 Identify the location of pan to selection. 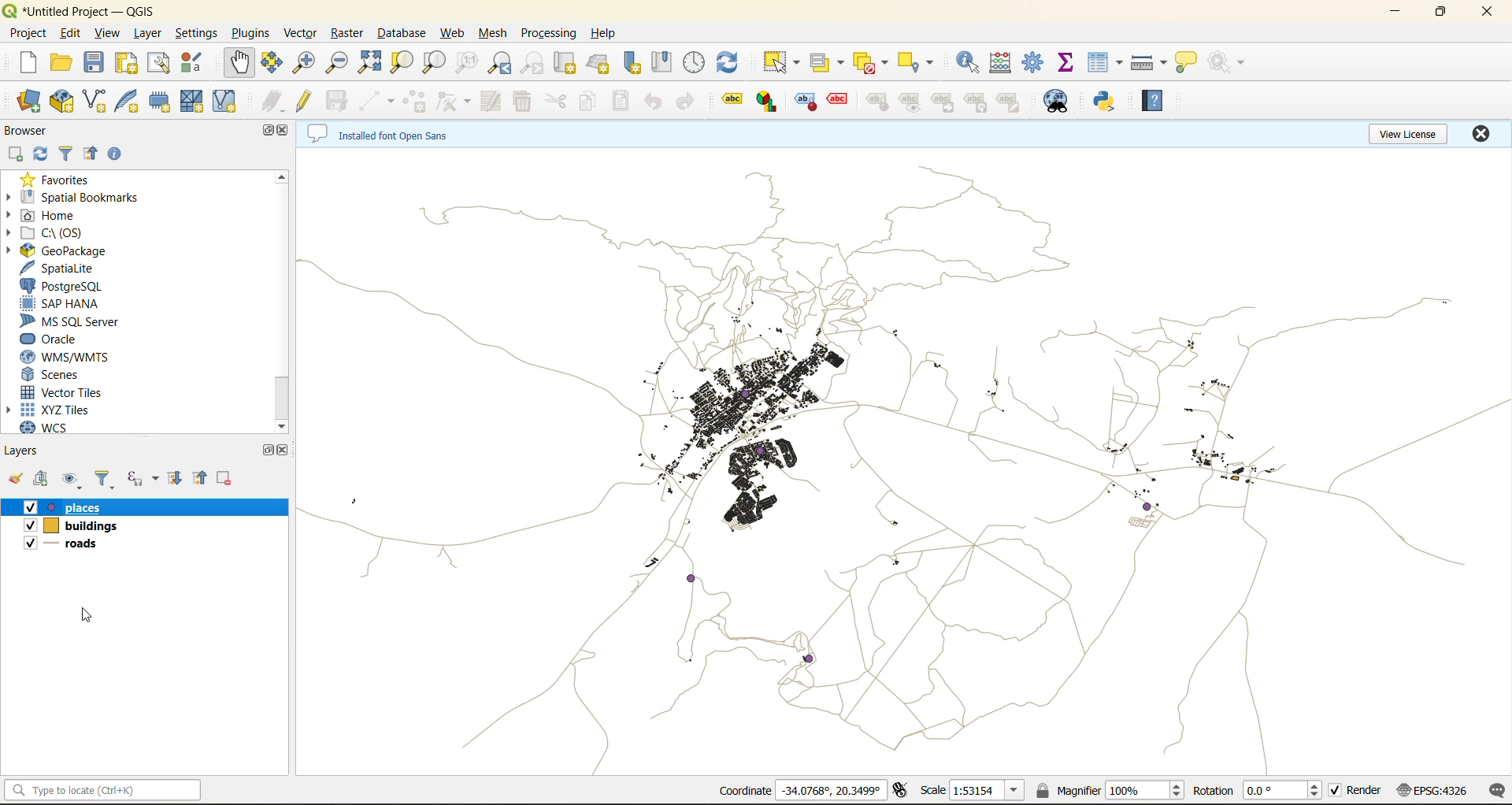
(272, 64).